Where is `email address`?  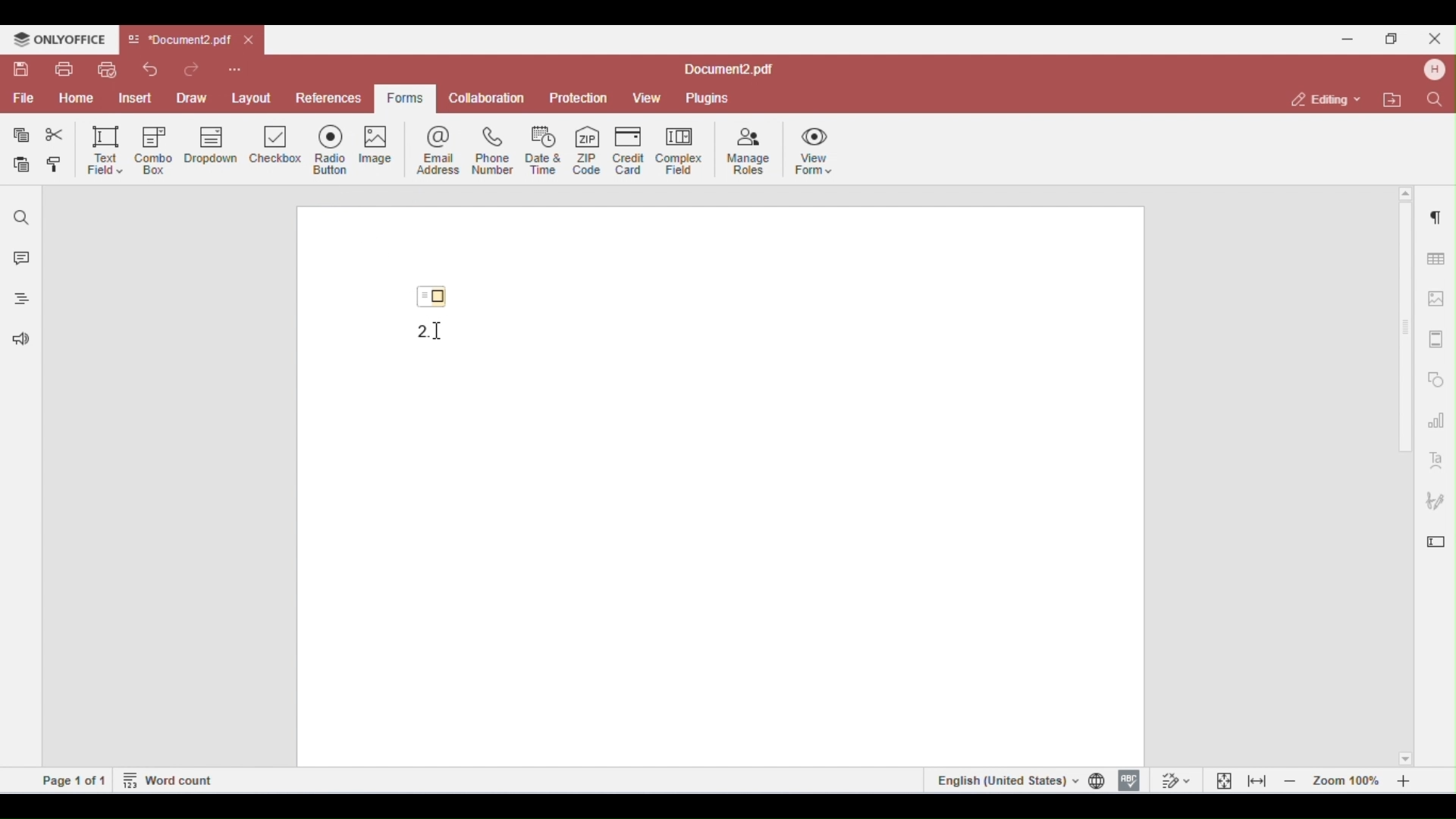
email address is located at coordinates (441, 149).